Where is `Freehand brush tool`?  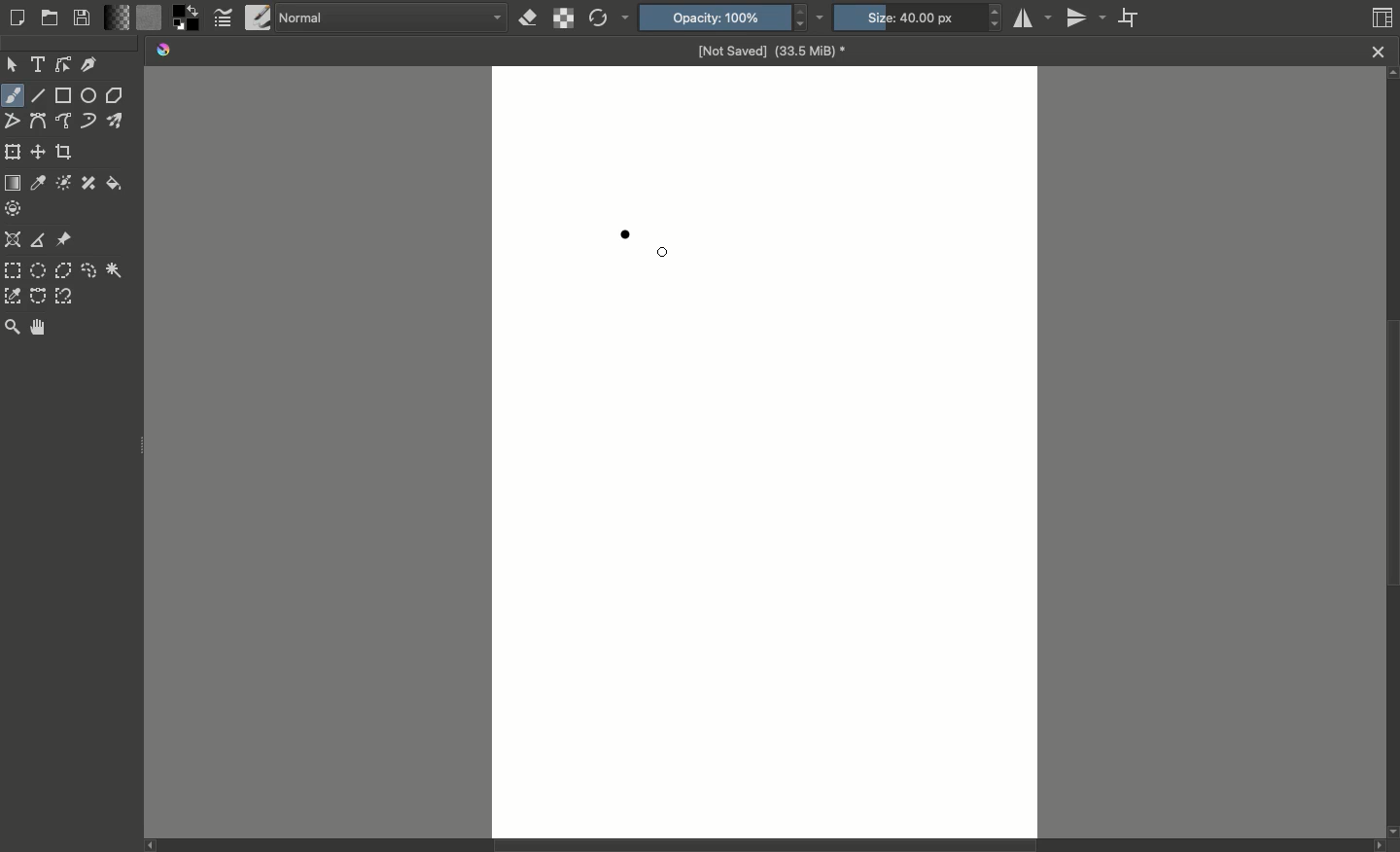
Freehand brush tool is located at coordinates (15, 95).